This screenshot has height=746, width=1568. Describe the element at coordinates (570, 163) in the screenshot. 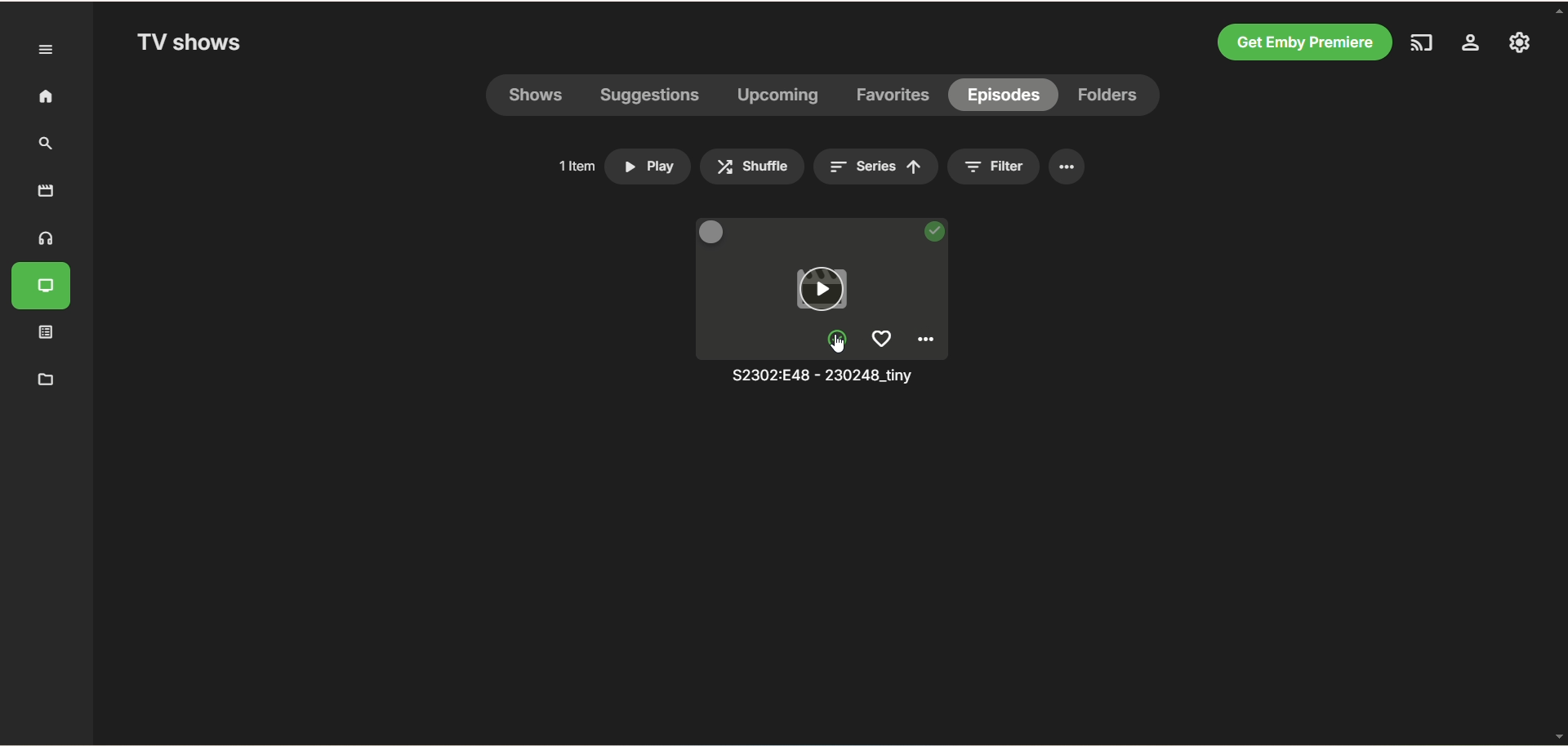

I see `1ltem` at that location.